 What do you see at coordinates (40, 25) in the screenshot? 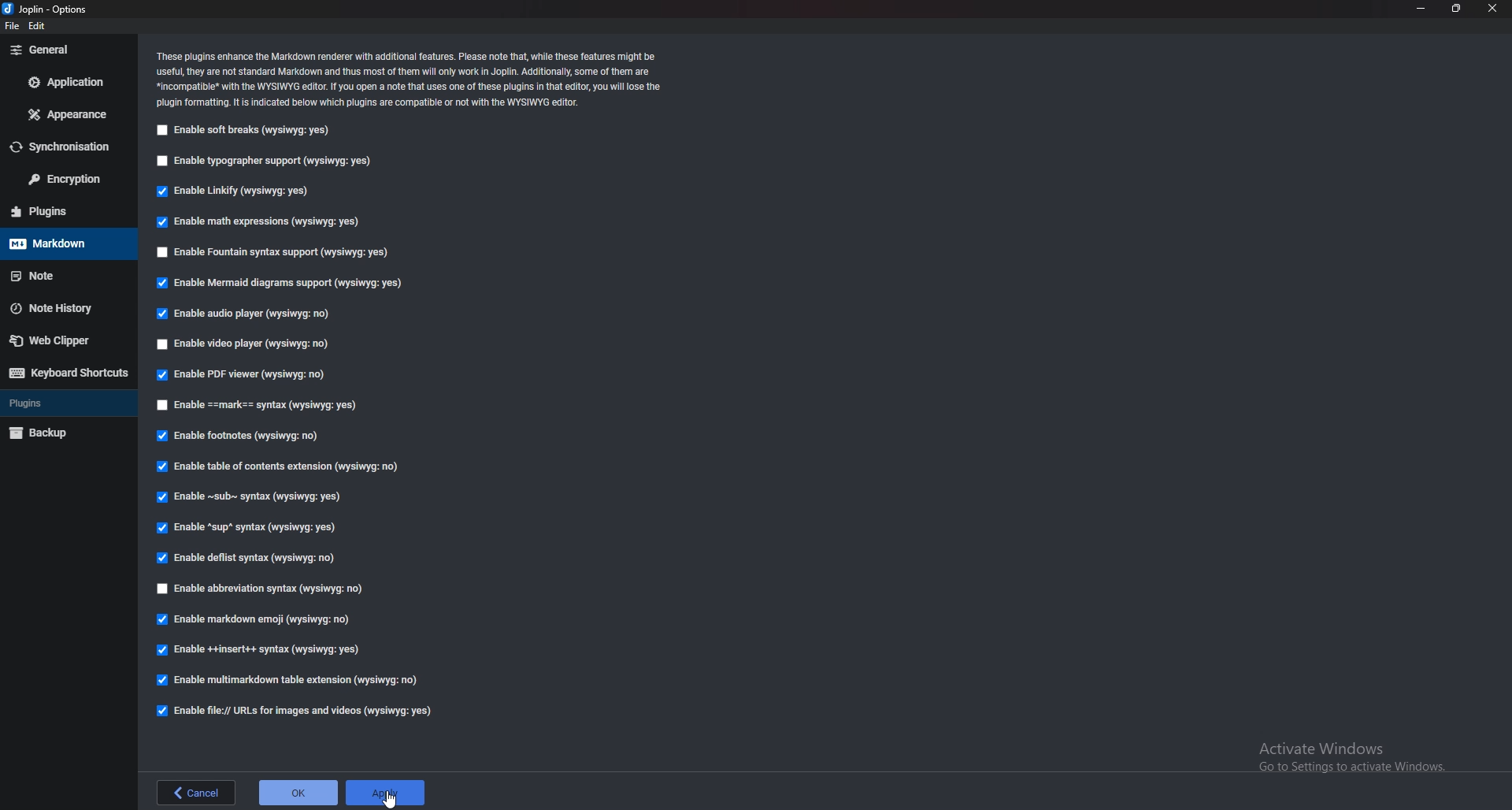
I see `edit` at bounding box center [40, 25].